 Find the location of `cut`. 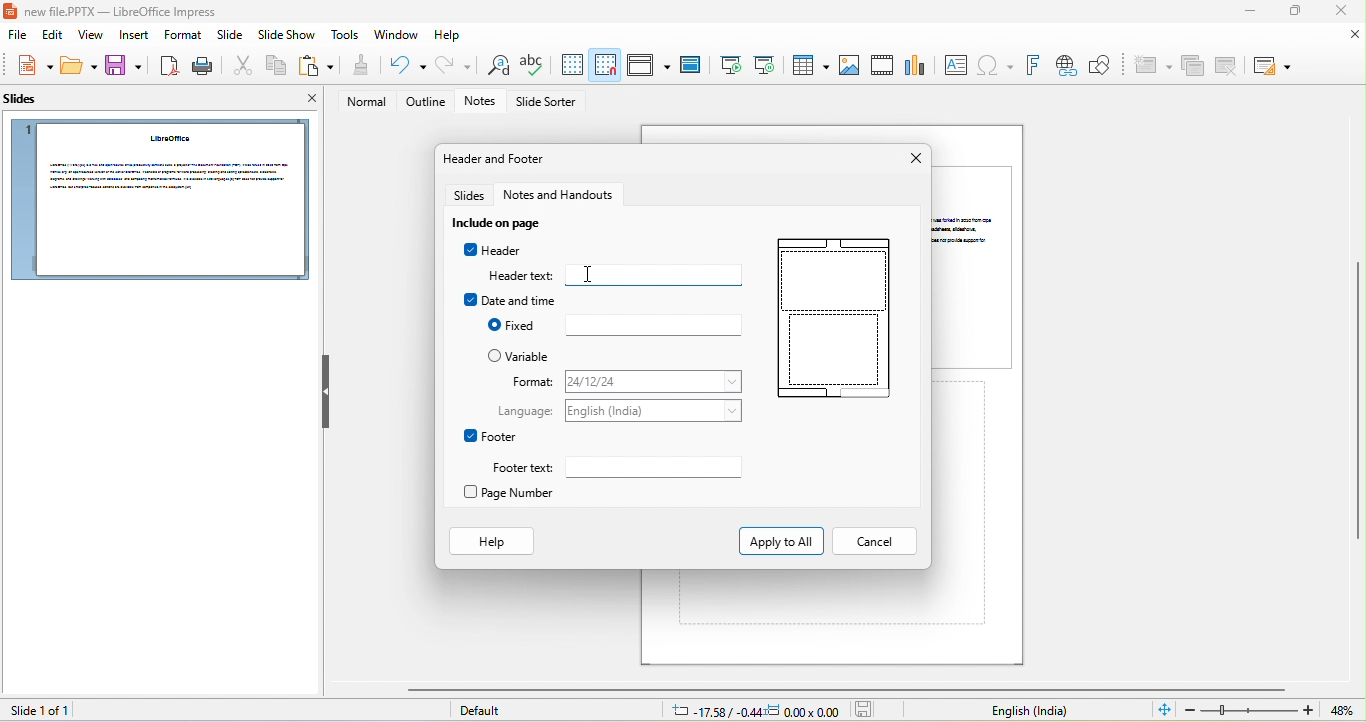

cut is located at coordinates (240, 67).